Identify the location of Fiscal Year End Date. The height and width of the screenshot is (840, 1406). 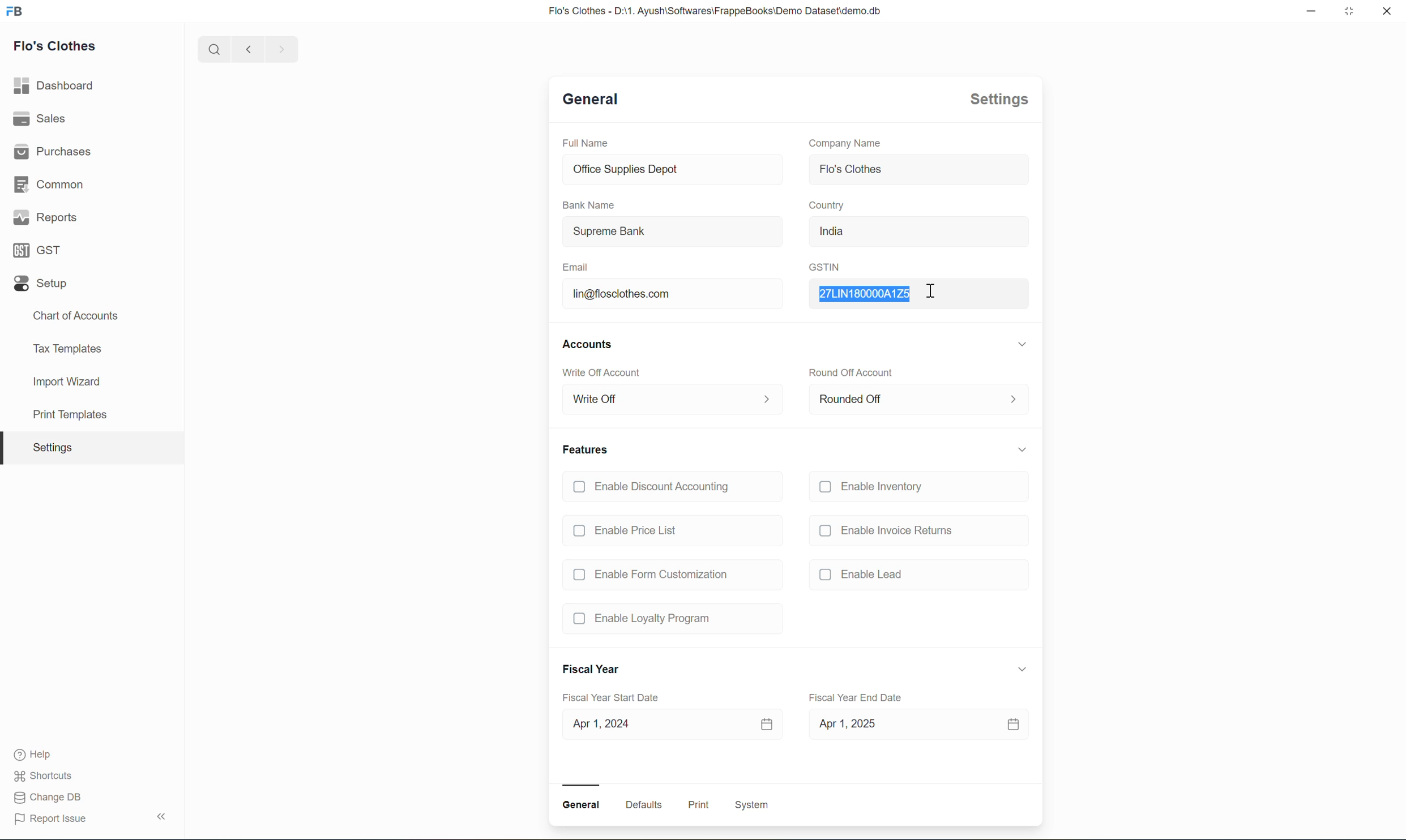
(855, 698).